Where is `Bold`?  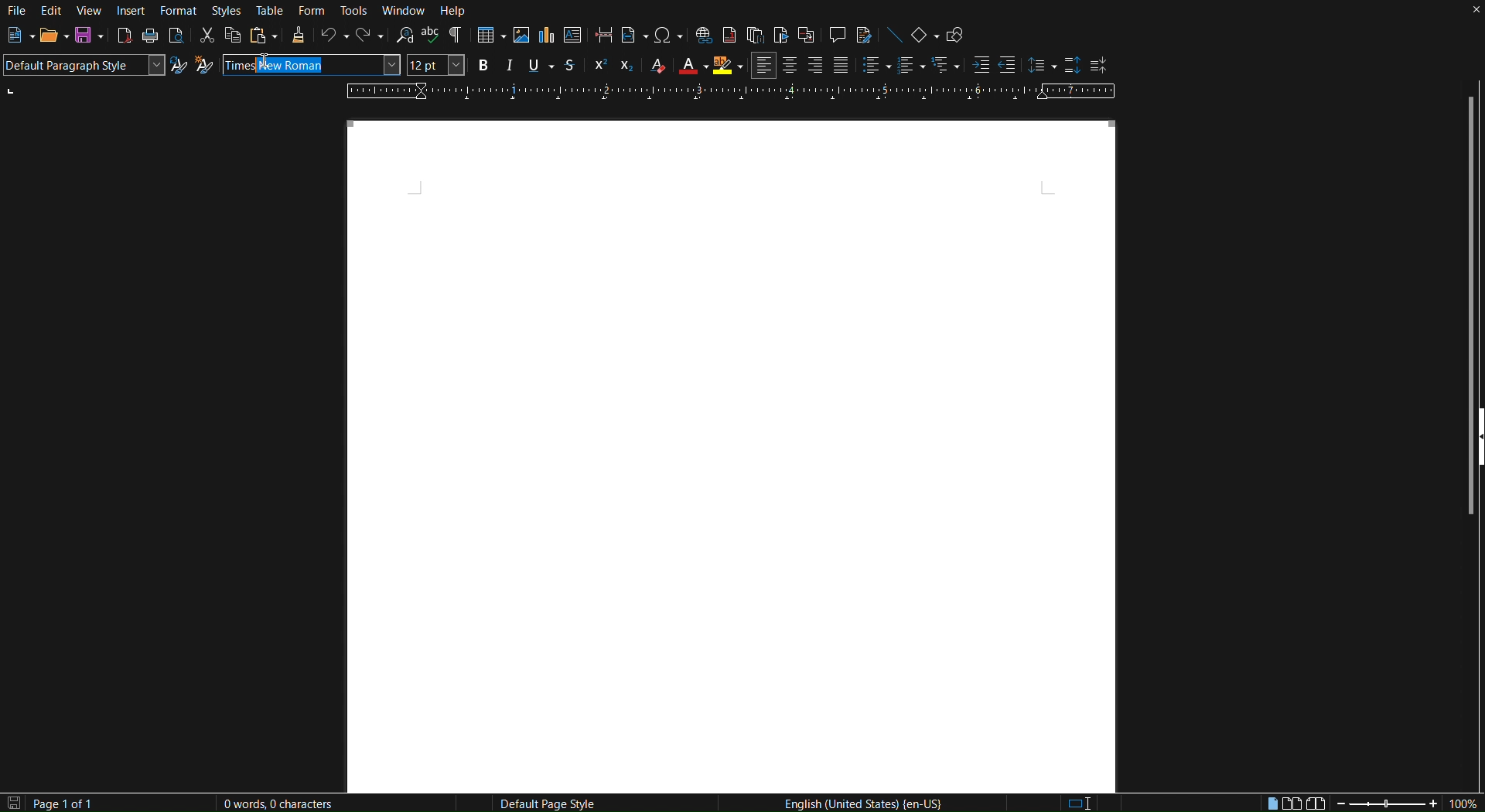
Bold is located at coordinates (482, 65).